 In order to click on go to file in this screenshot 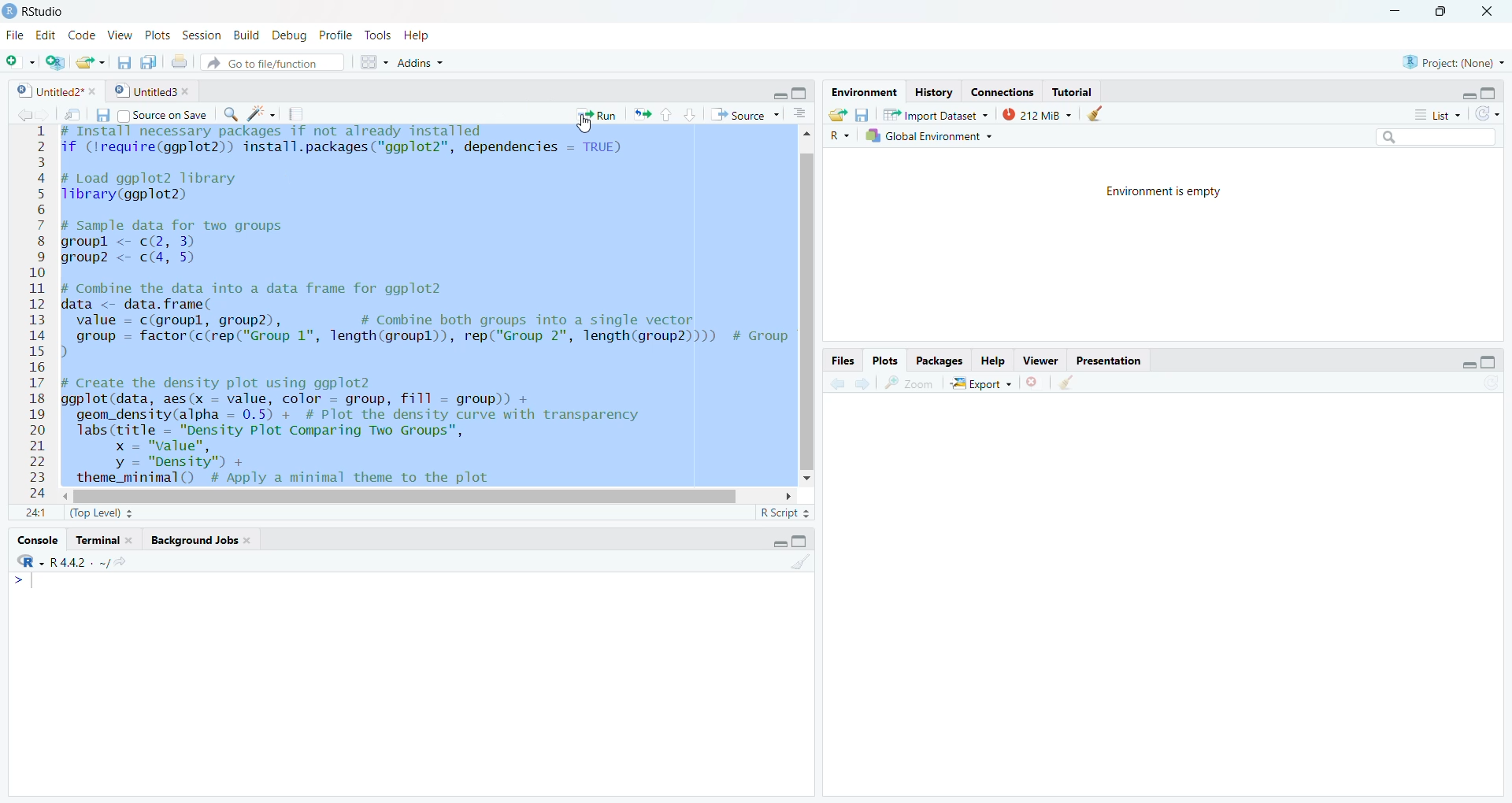, I will do `click(269, 62)`.